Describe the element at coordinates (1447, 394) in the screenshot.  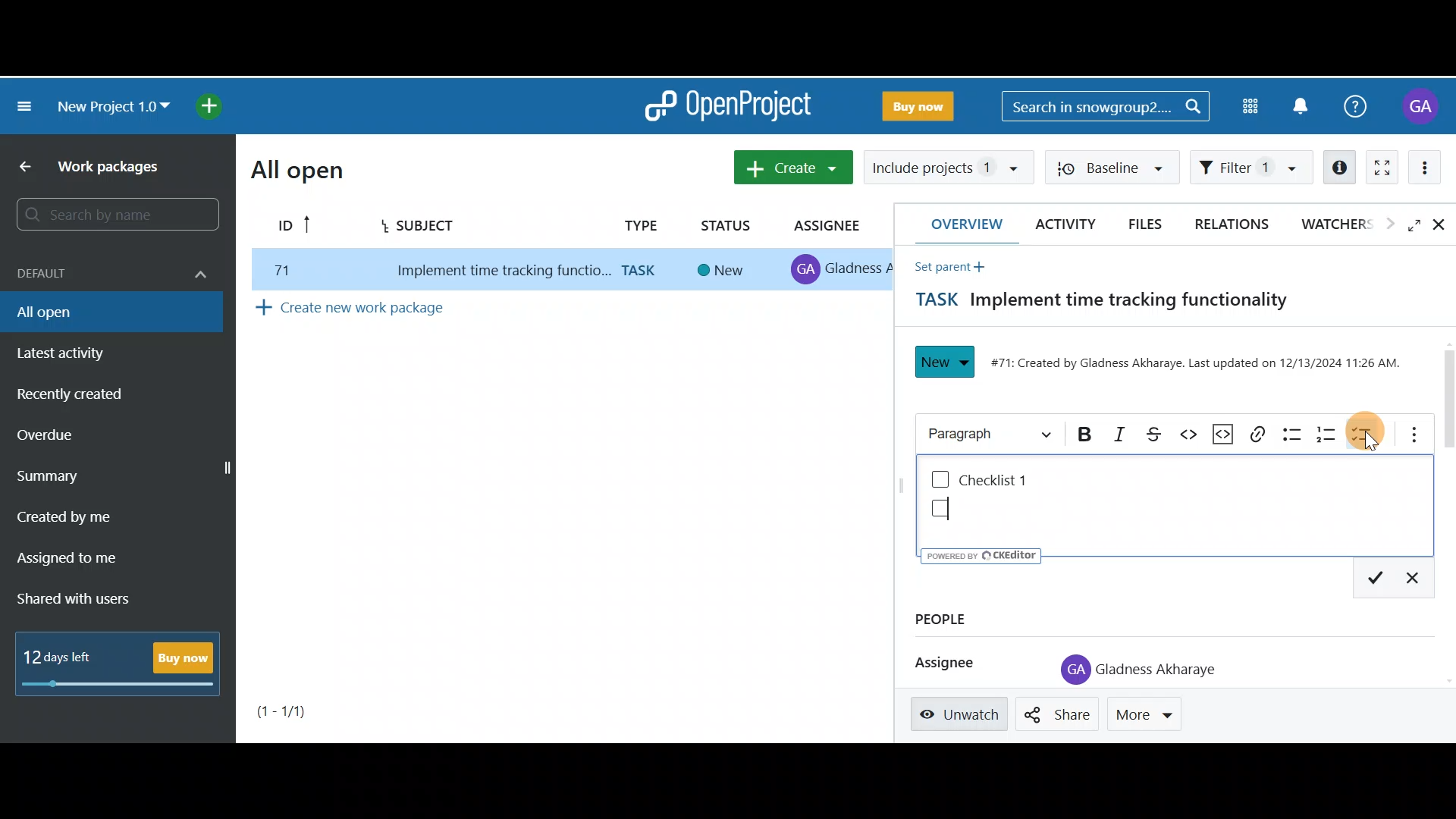
I see `Scroll bar` at that location.